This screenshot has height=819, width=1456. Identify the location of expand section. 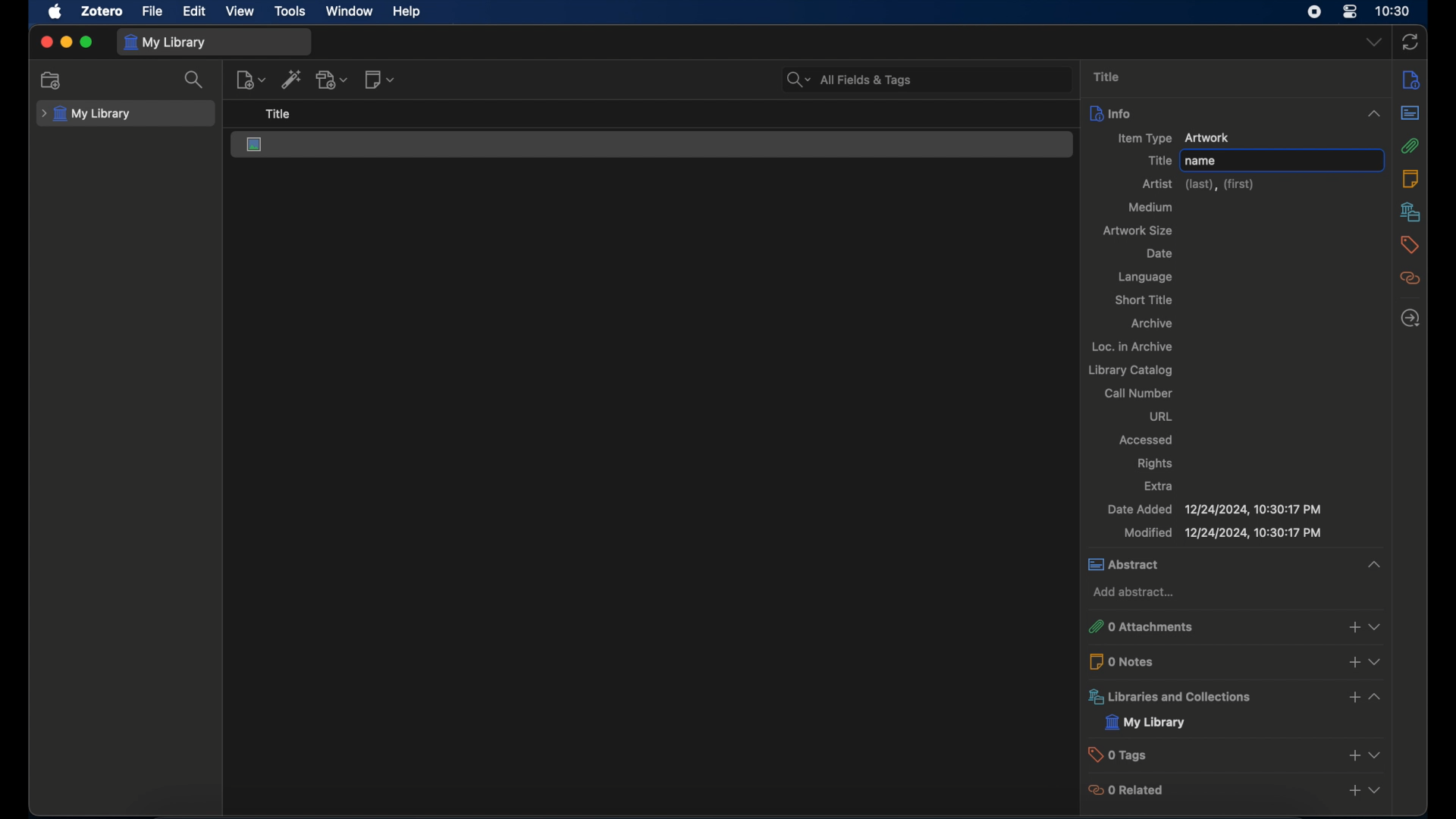
(1384, 667).